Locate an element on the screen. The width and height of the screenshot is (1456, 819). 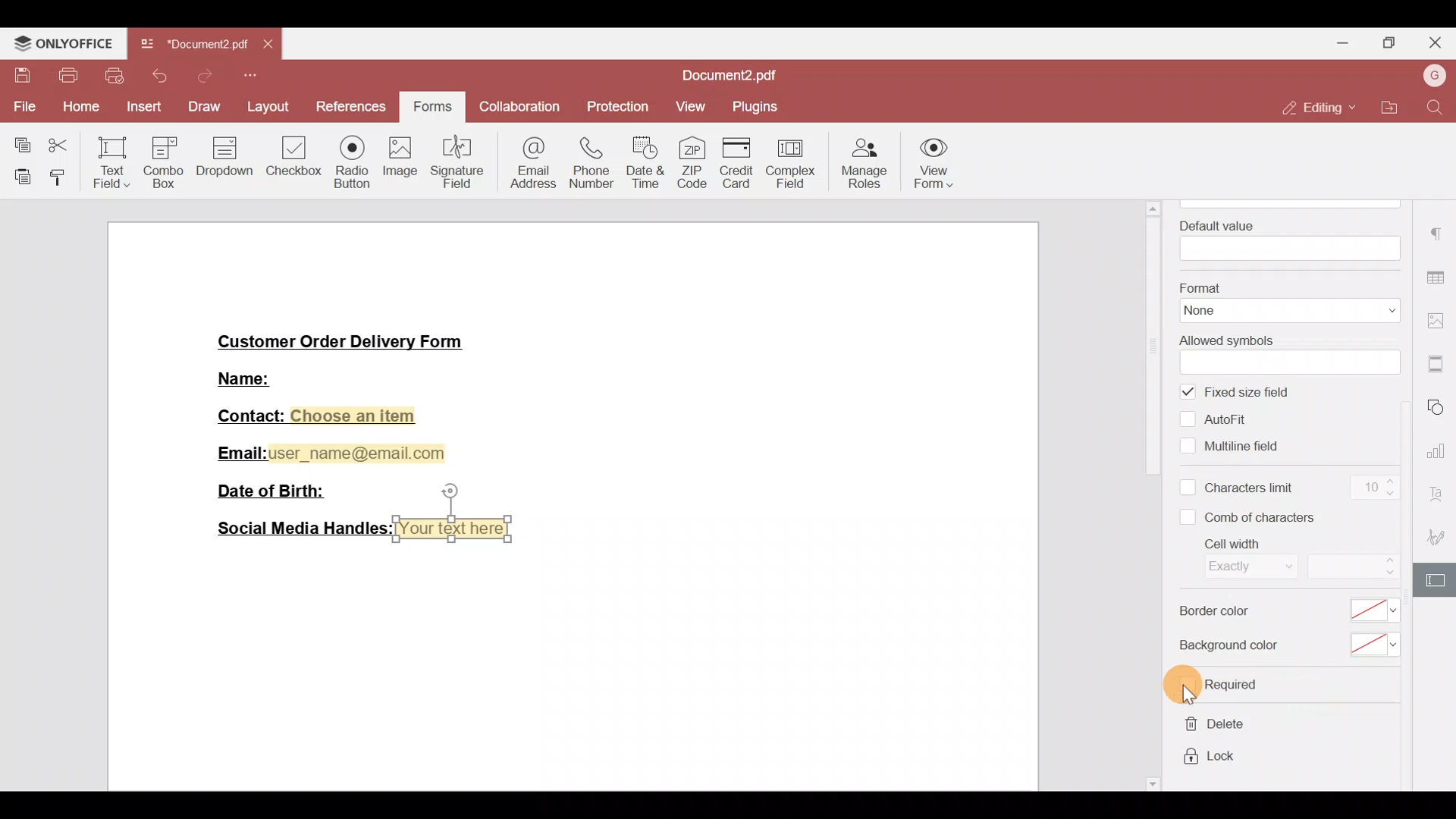
View is located at coordinates (689, 110).